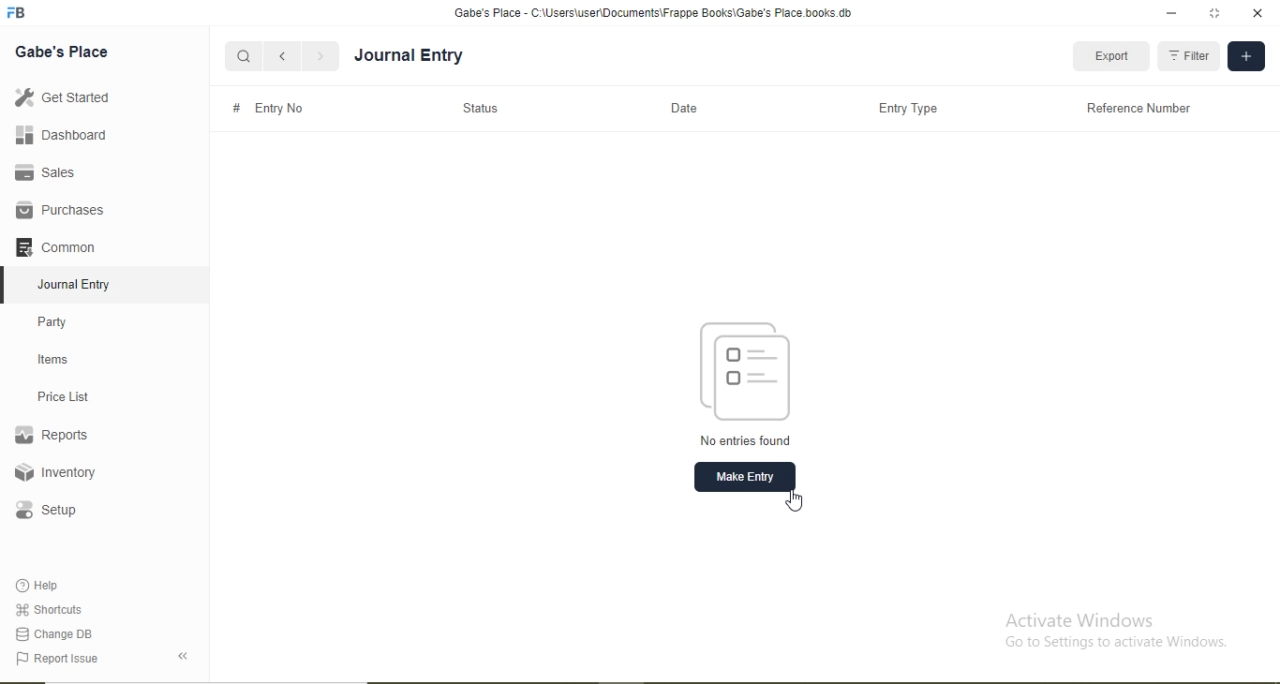  What do you see at coordinates (51, 435) in the screenshot?
I see `Reports` at bounding box center [51, 435].